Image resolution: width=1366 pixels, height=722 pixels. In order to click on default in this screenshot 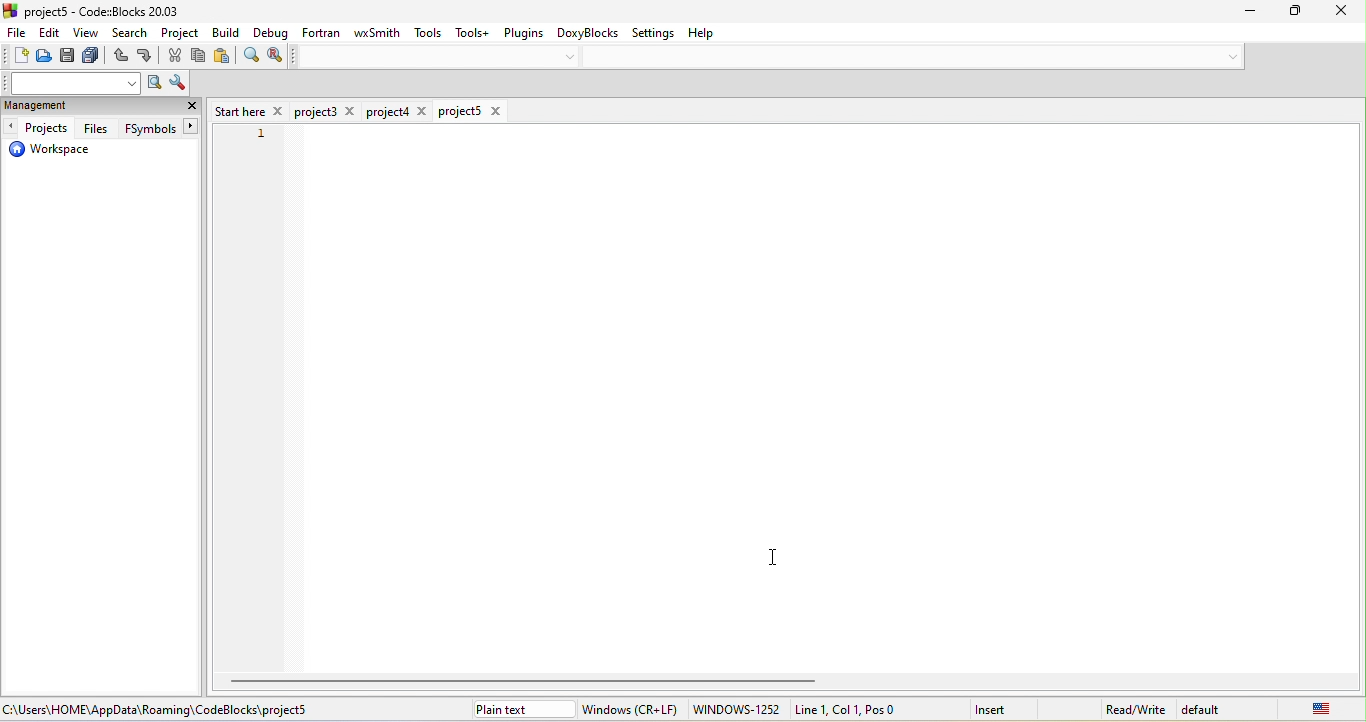, I will do `click(1208, 708)`.